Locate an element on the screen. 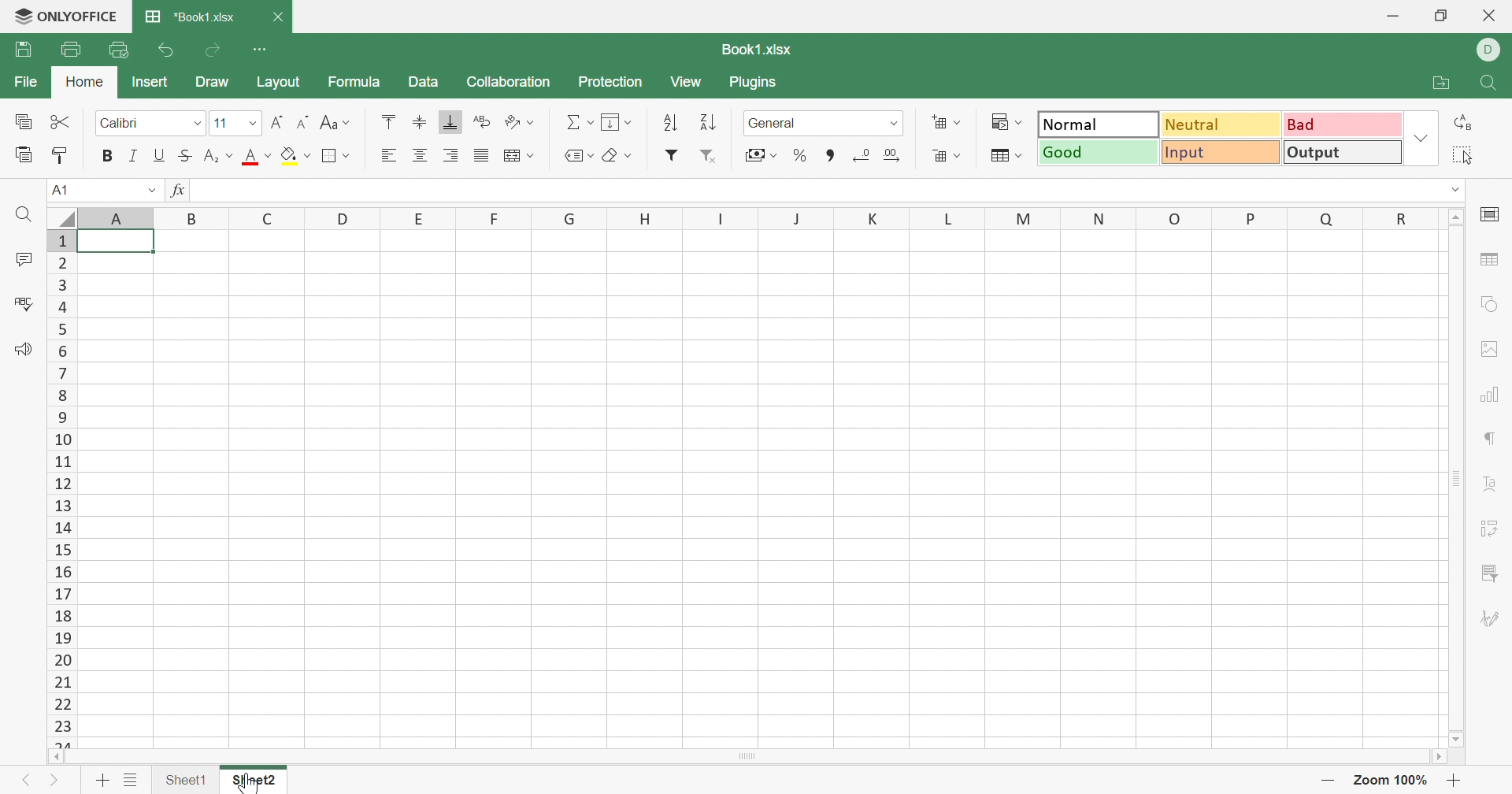 This screenshot has height=794, width=1512. Sheet1 is located at coordinates (185, 777).